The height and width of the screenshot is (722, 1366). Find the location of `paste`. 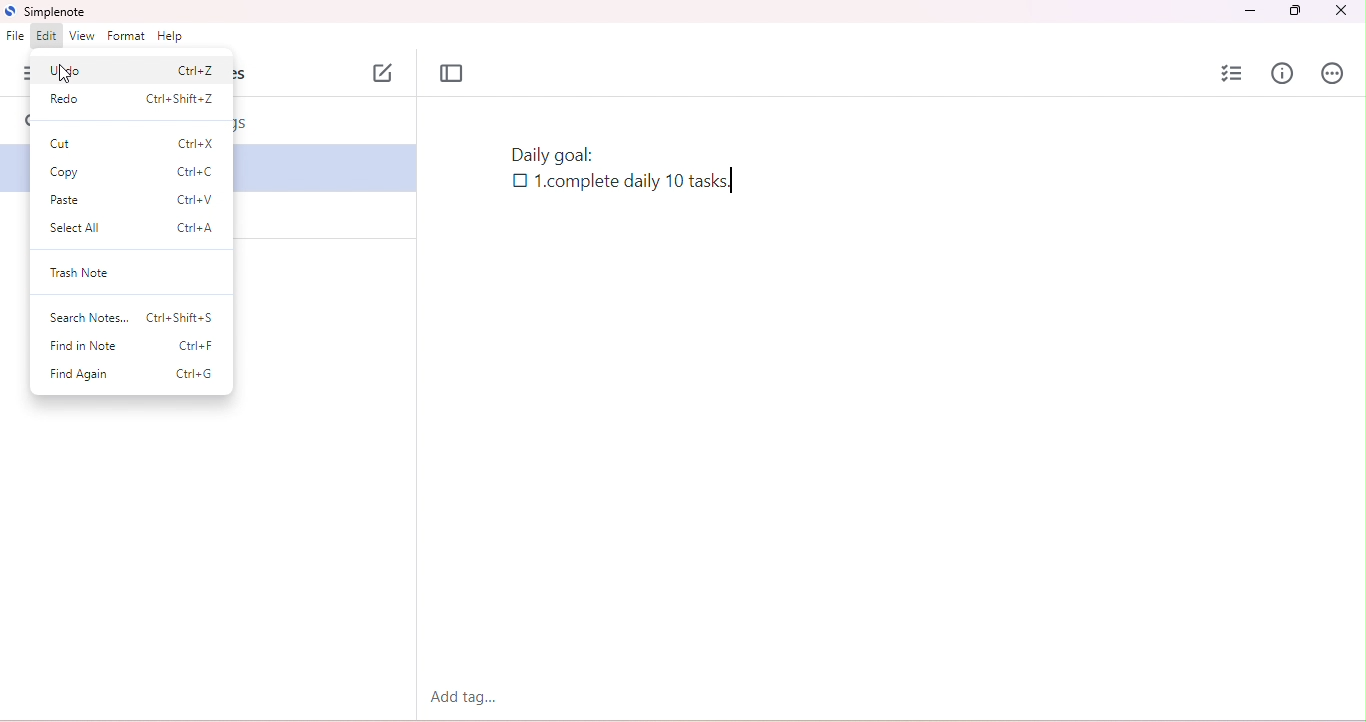

paste is located at coordinates (133, 200).